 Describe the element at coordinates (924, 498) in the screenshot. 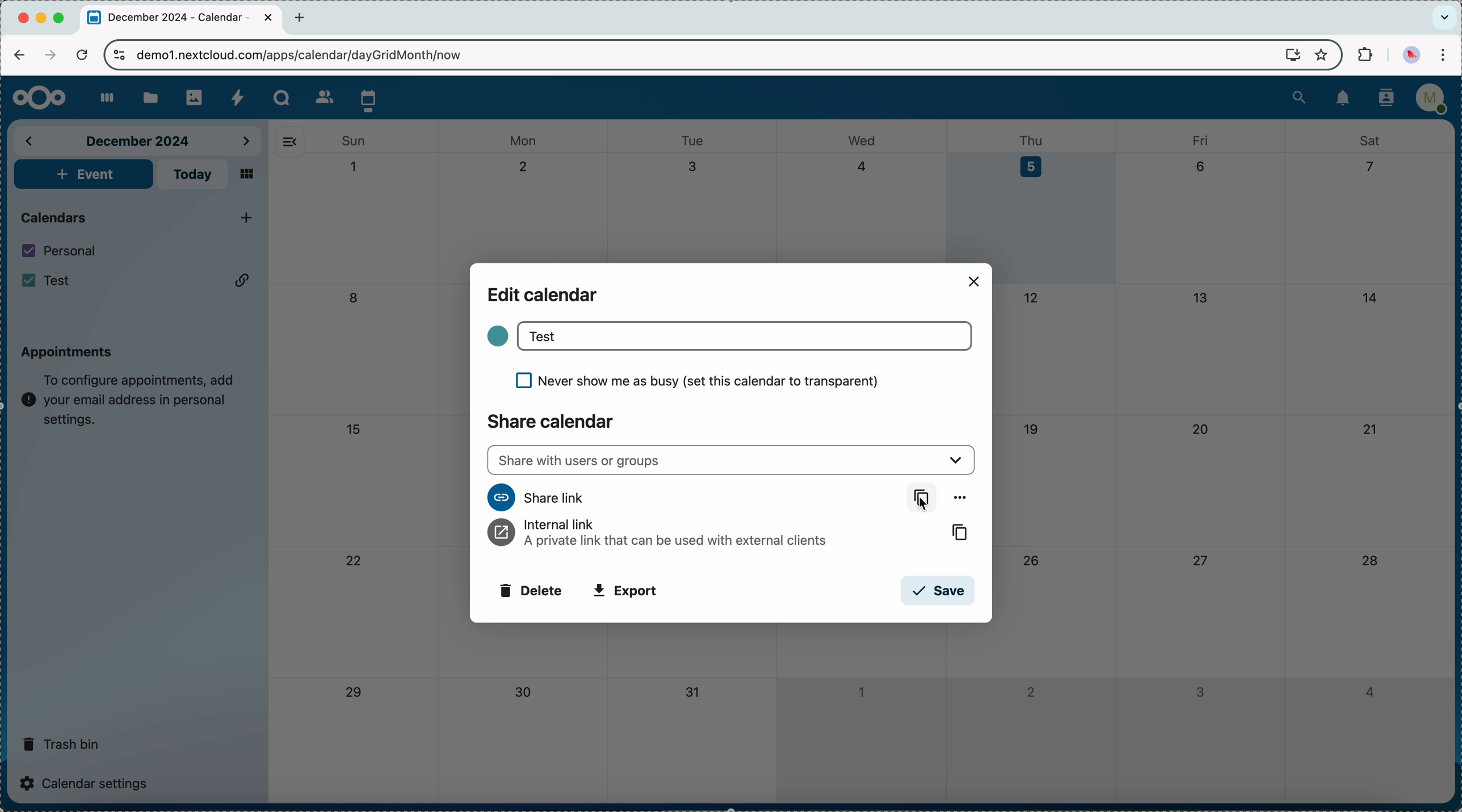

I see `copy link` at that location.